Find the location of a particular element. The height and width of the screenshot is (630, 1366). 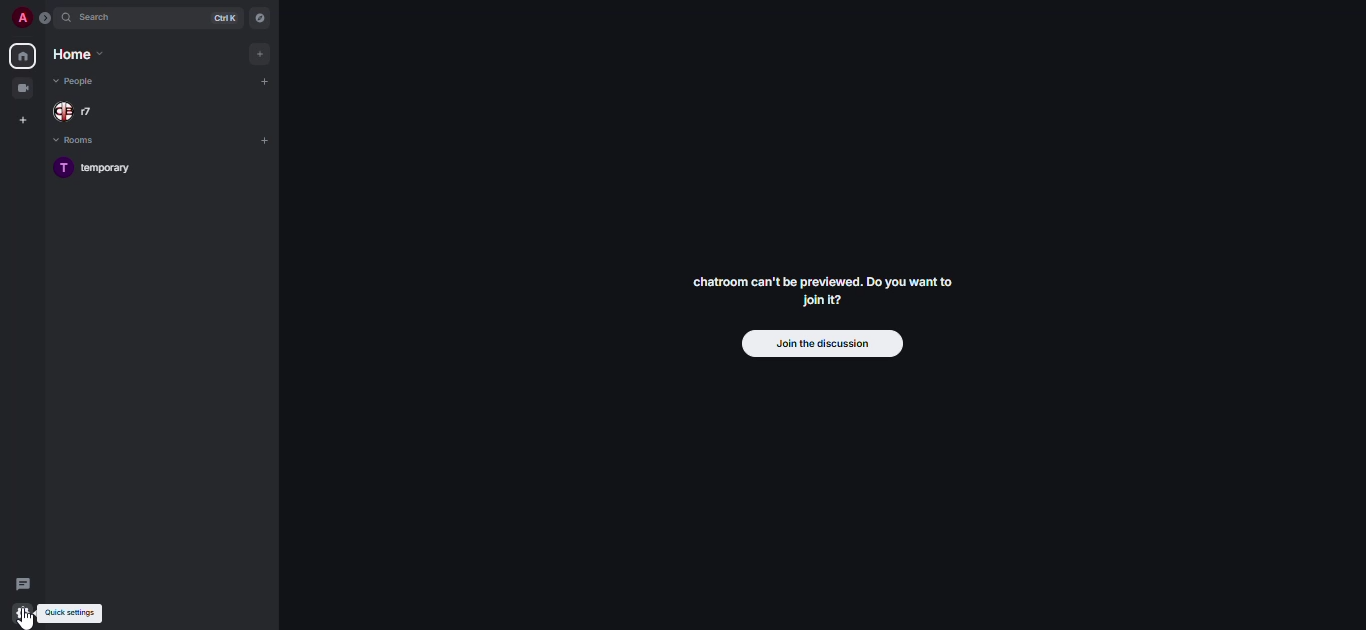

search is located at coordinates (100, 18).